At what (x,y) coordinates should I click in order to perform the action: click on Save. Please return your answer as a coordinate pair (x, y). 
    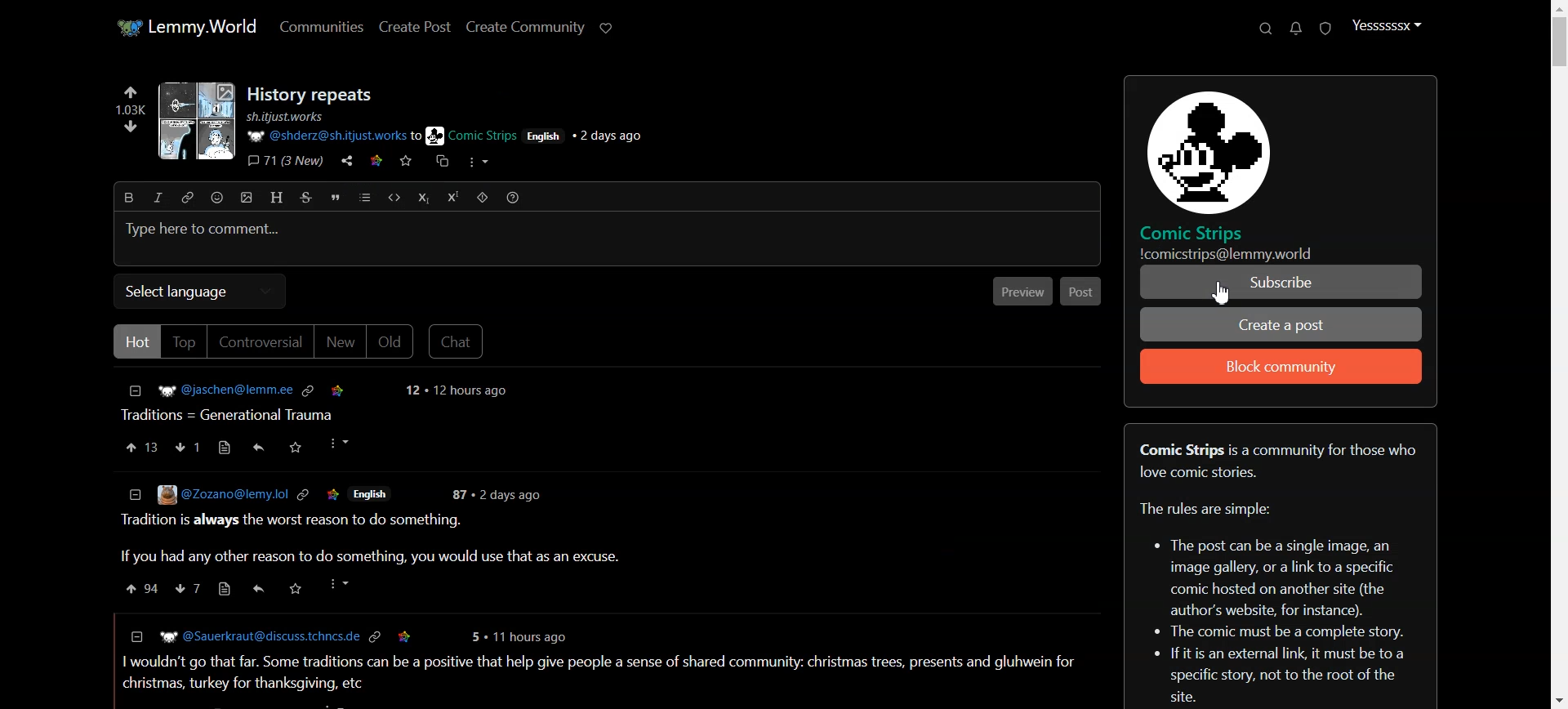
    Looking at the image, I should click on (407, 164).